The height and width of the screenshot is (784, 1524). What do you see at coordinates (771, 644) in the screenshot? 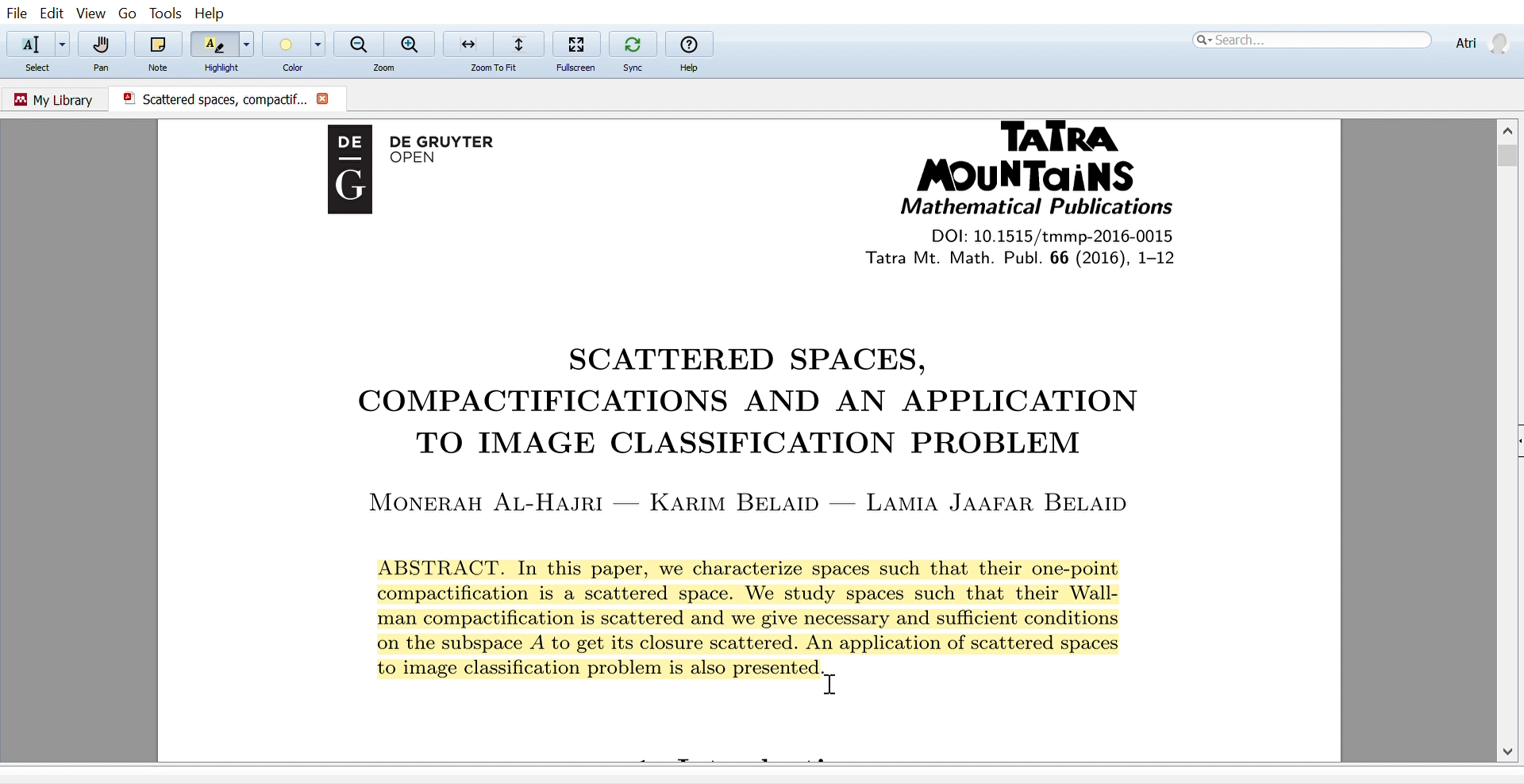
I see `on the subspace A to get its closure scattererd. An application of scattered spaces` at bounding box center [771, 644].